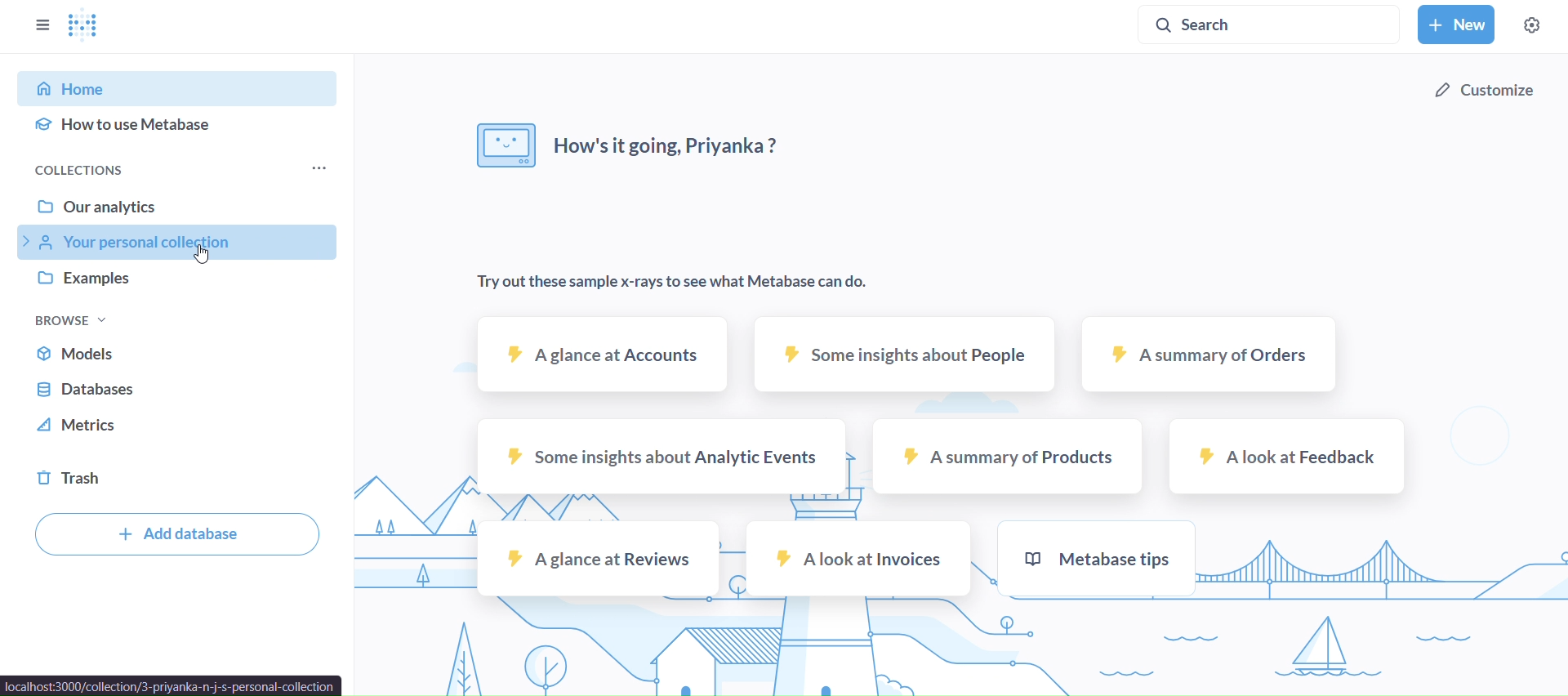 This screenshot has width=1568, height=696. I want to click on customize, so click(1490, 89).